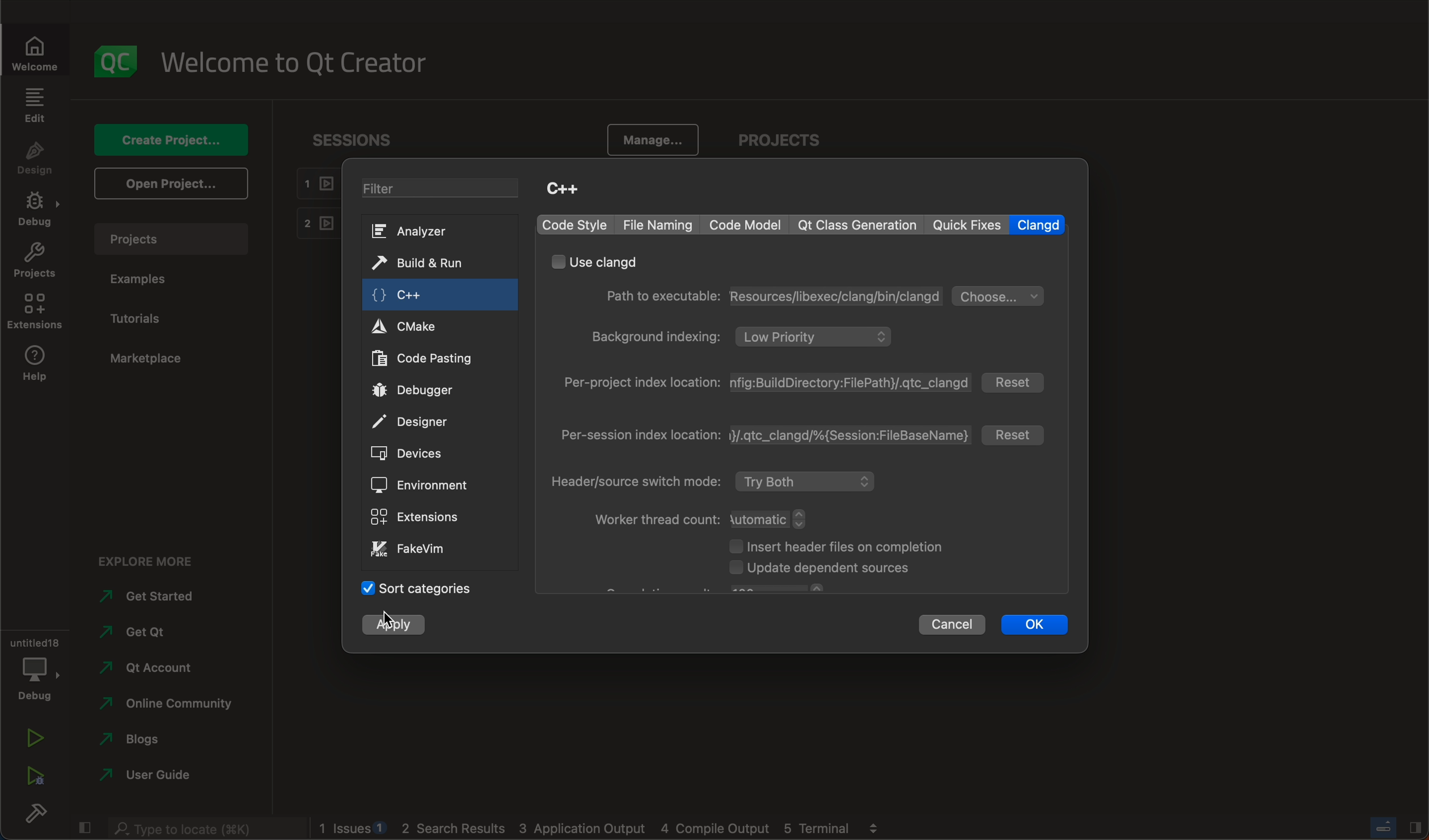 This screenshot has width=1429, height=840. What do you see at coordinates (171, 141) in the screenshot?
I see `create project` at bounding box center [171, 141].